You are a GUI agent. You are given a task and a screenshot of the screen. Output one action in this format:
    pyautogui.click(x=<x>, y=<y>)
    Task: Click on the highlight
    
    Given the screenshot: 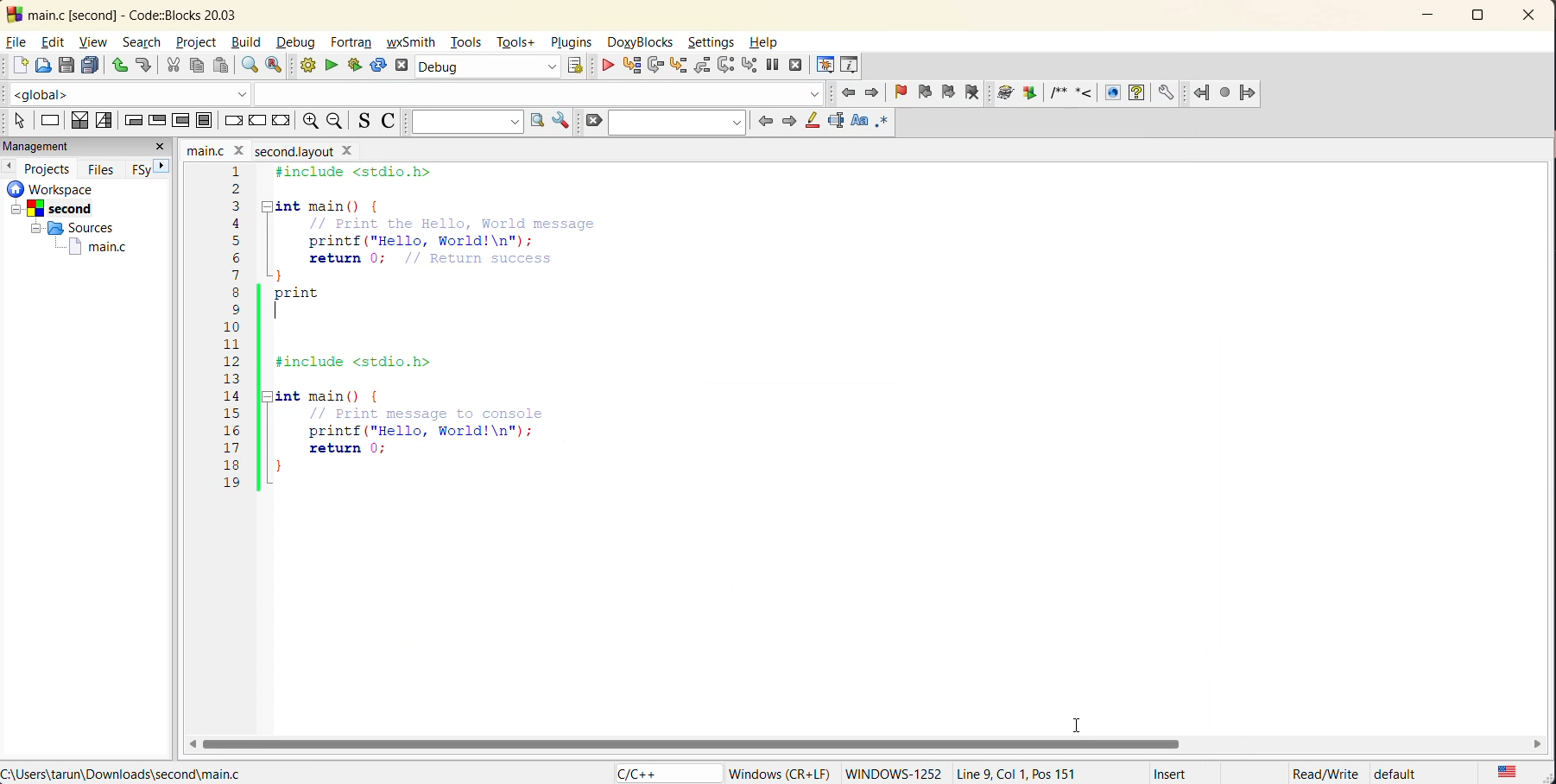 What is the action you would take?
    pyautogui.click(x=811, y=122)
    